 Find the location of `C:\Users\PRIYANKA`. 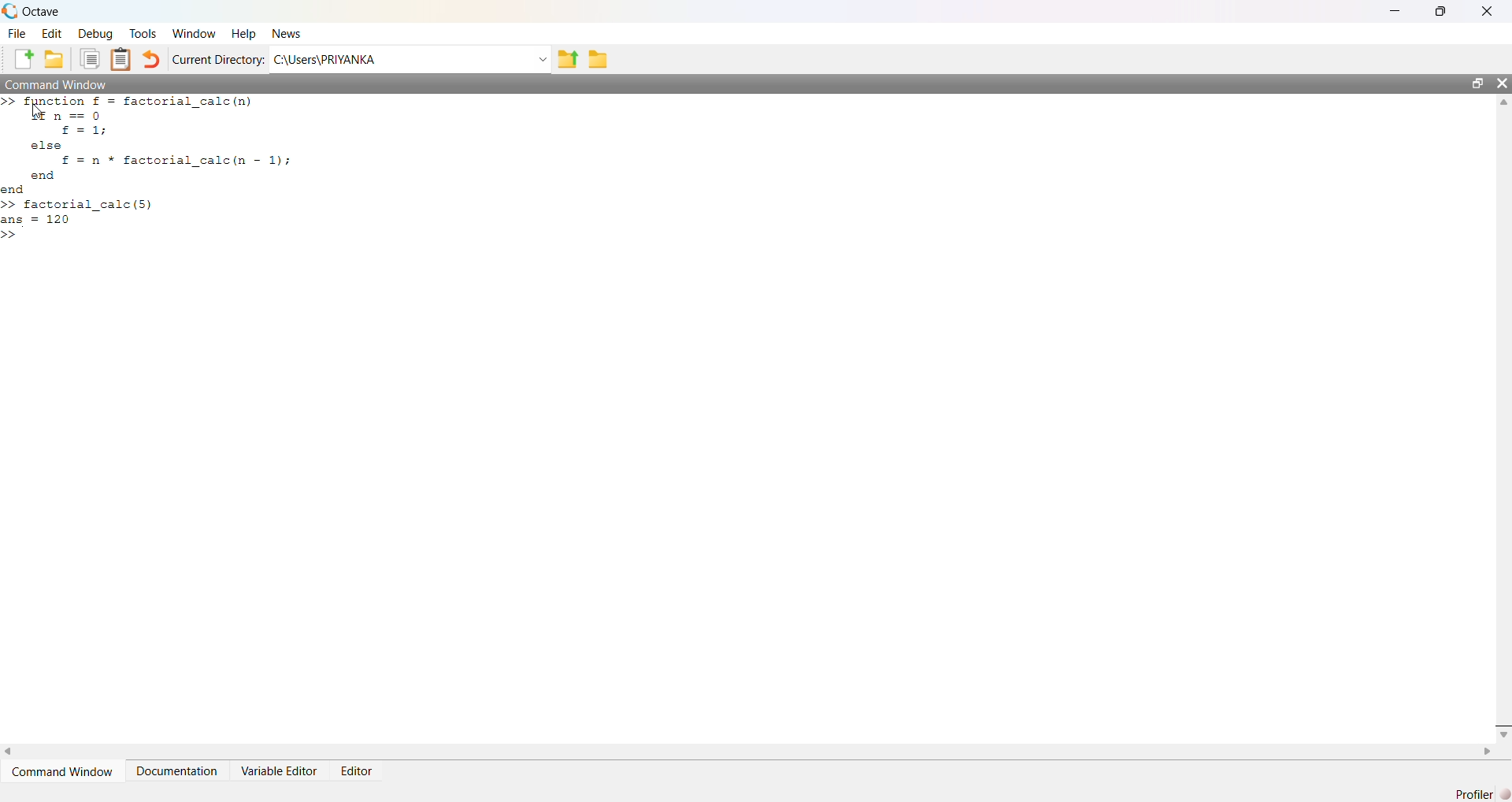

C:\Users\PRIYANKA is located at coordinates (326, 60).